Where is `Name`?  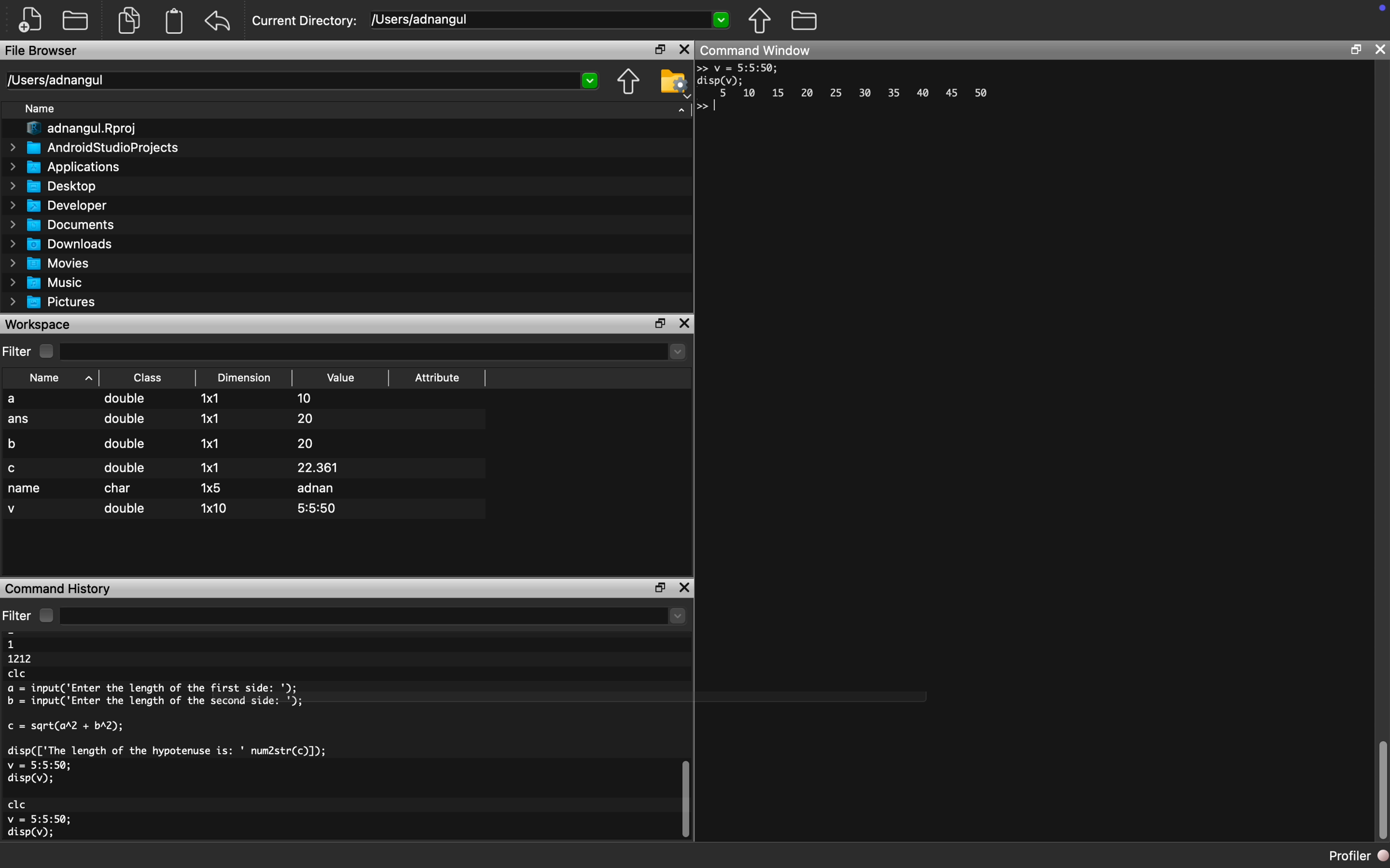 Name is located at coordinates (39, 108).